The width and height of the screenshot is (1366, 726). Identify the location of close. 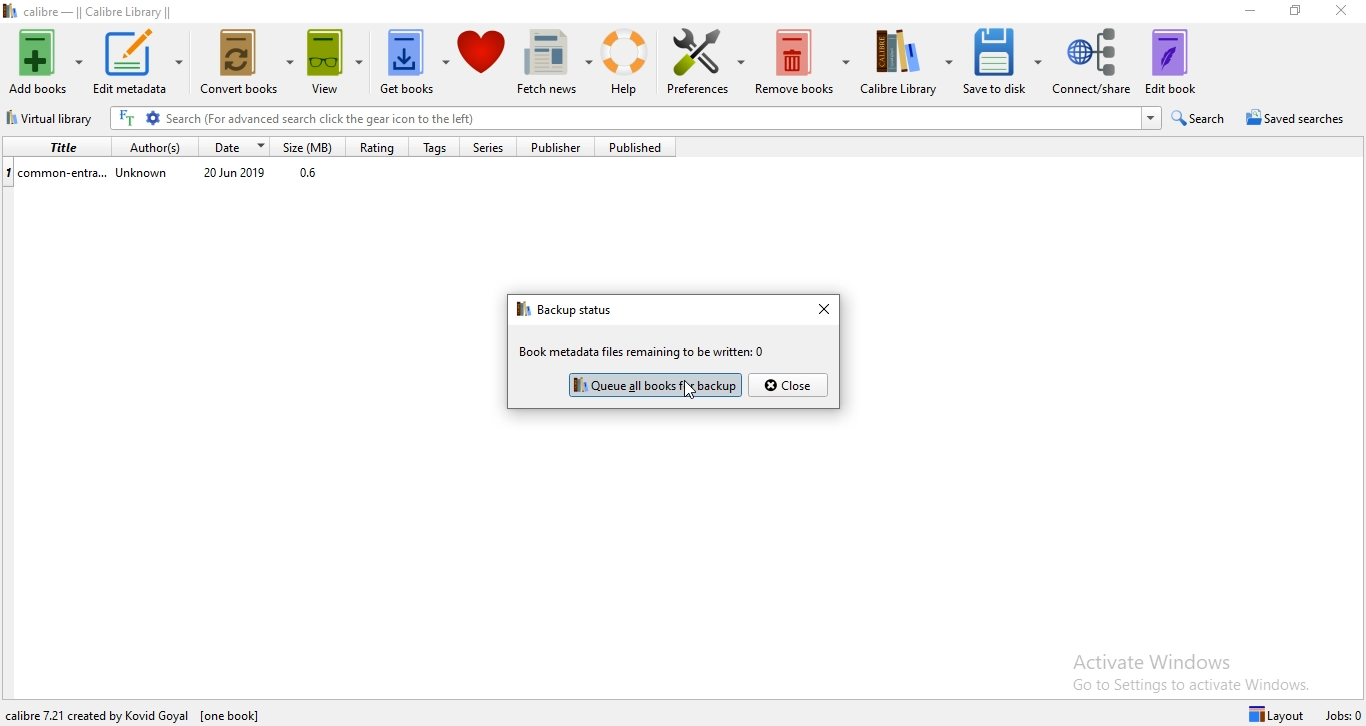
(789, 385).